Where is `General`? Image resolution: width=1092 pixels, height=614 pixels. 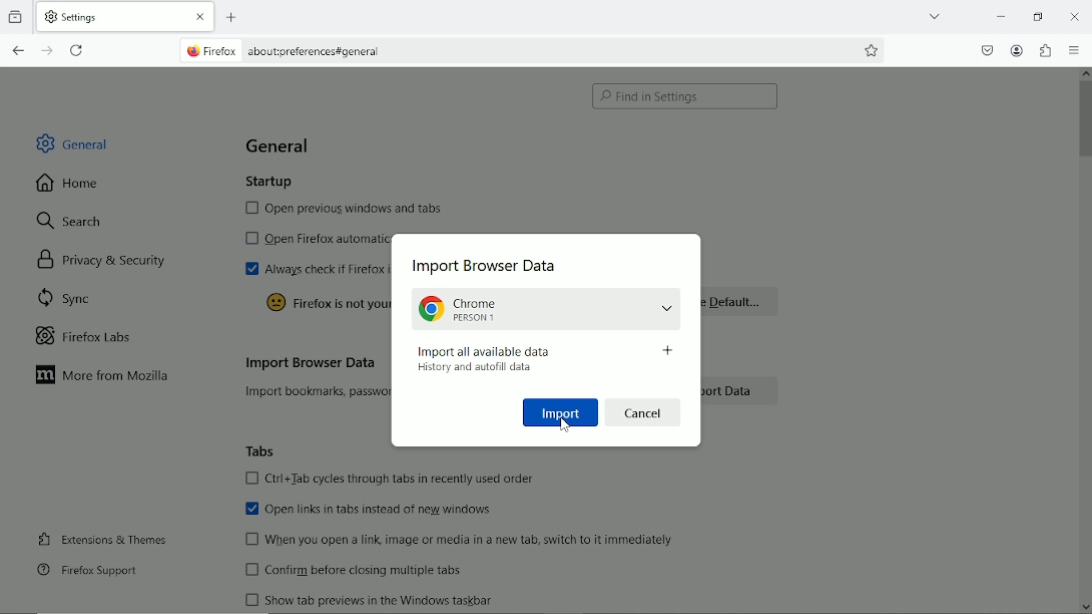
General is located at coordinates (75, 141).